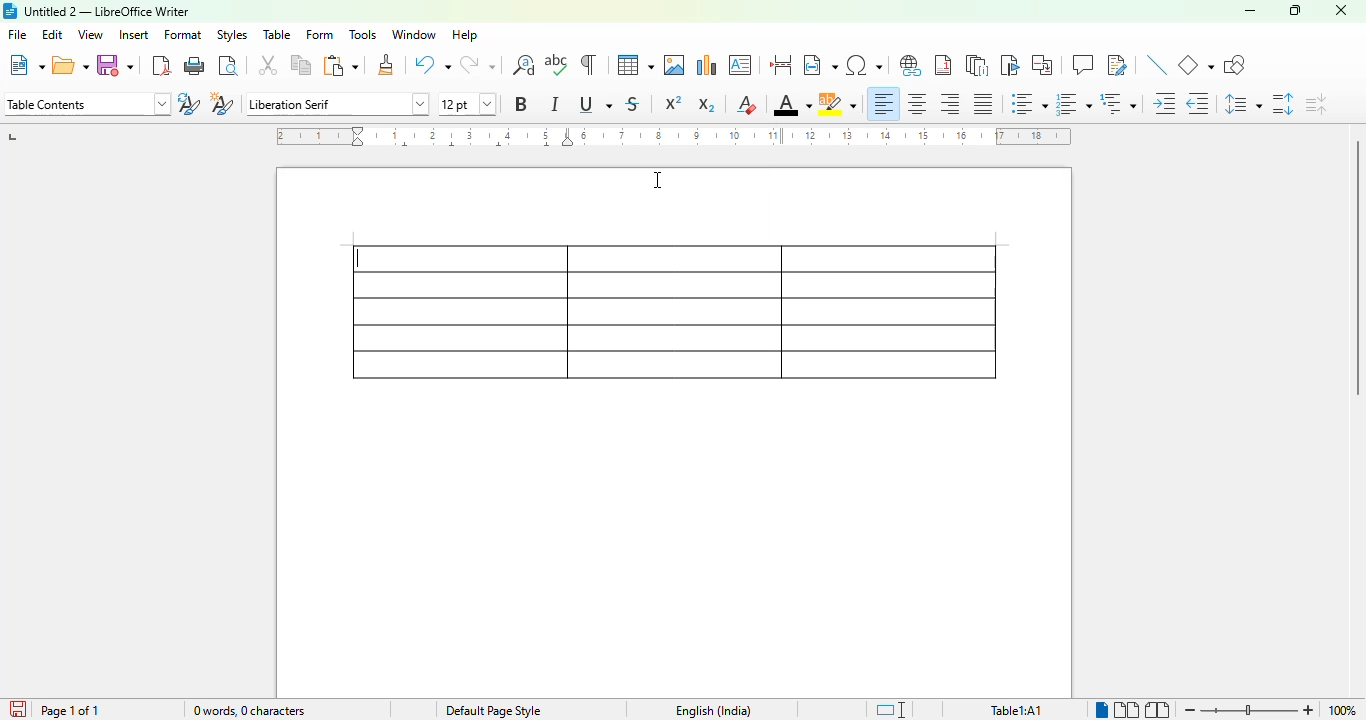 The image size is (1366, 720). What do you see at coordinates (68, 710) in the screenshot?
I see `page 1 of 1` at bounding box center [68, 710].